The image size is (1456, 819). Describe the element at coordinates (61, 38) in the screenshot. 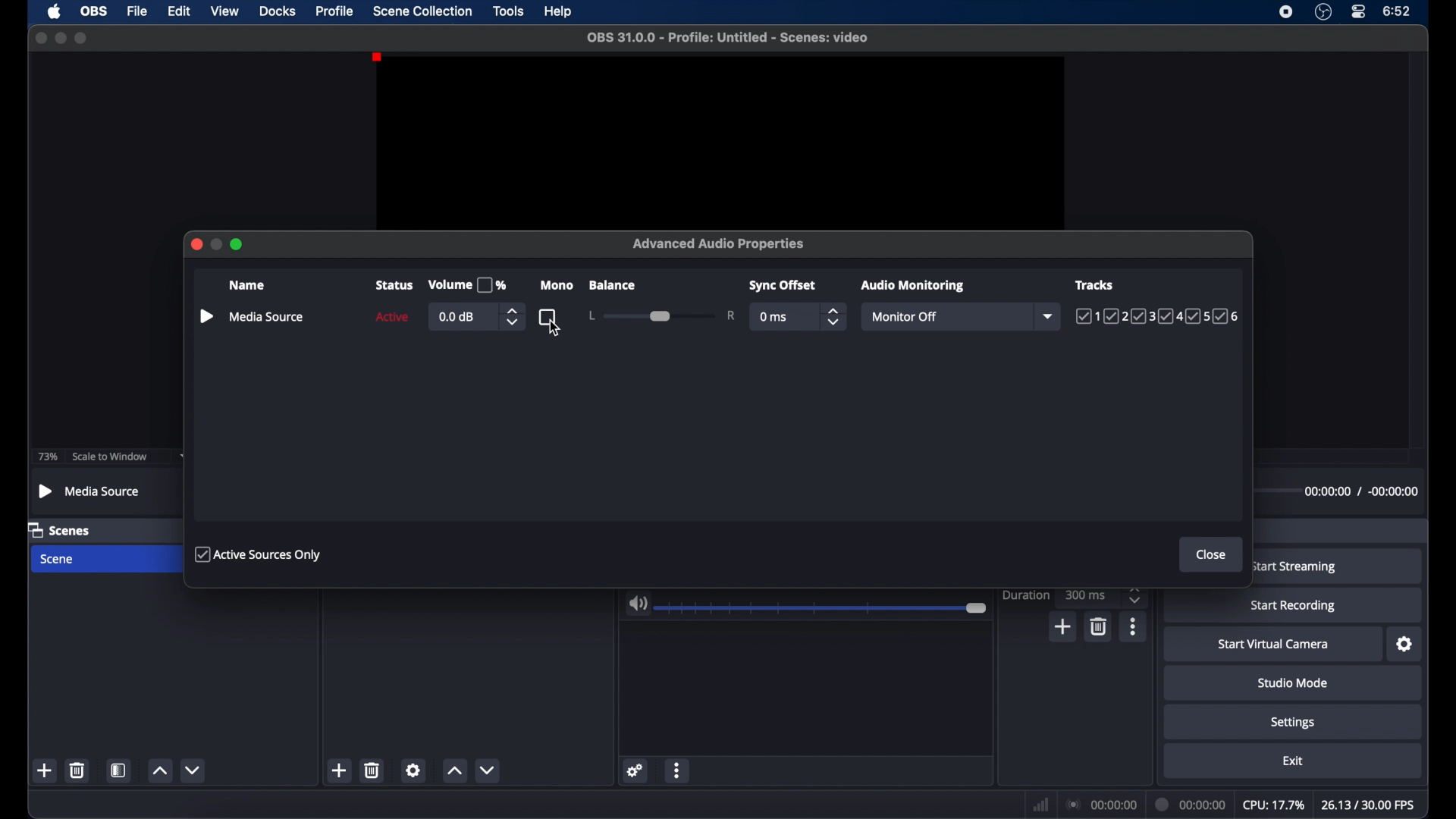

I see `minimize` at that location.